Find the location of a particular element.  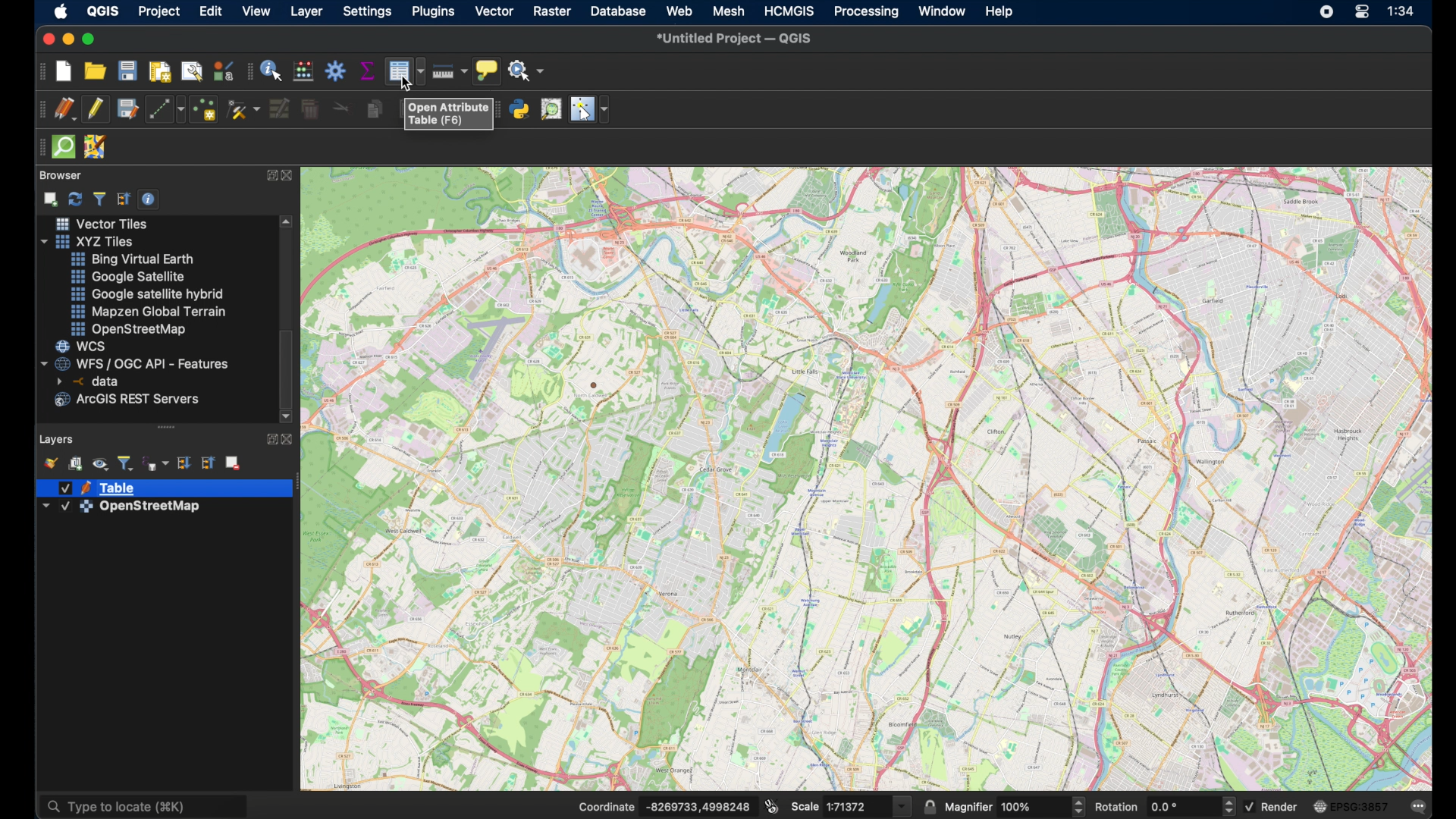

scale value is located at coordinates (855, 806).